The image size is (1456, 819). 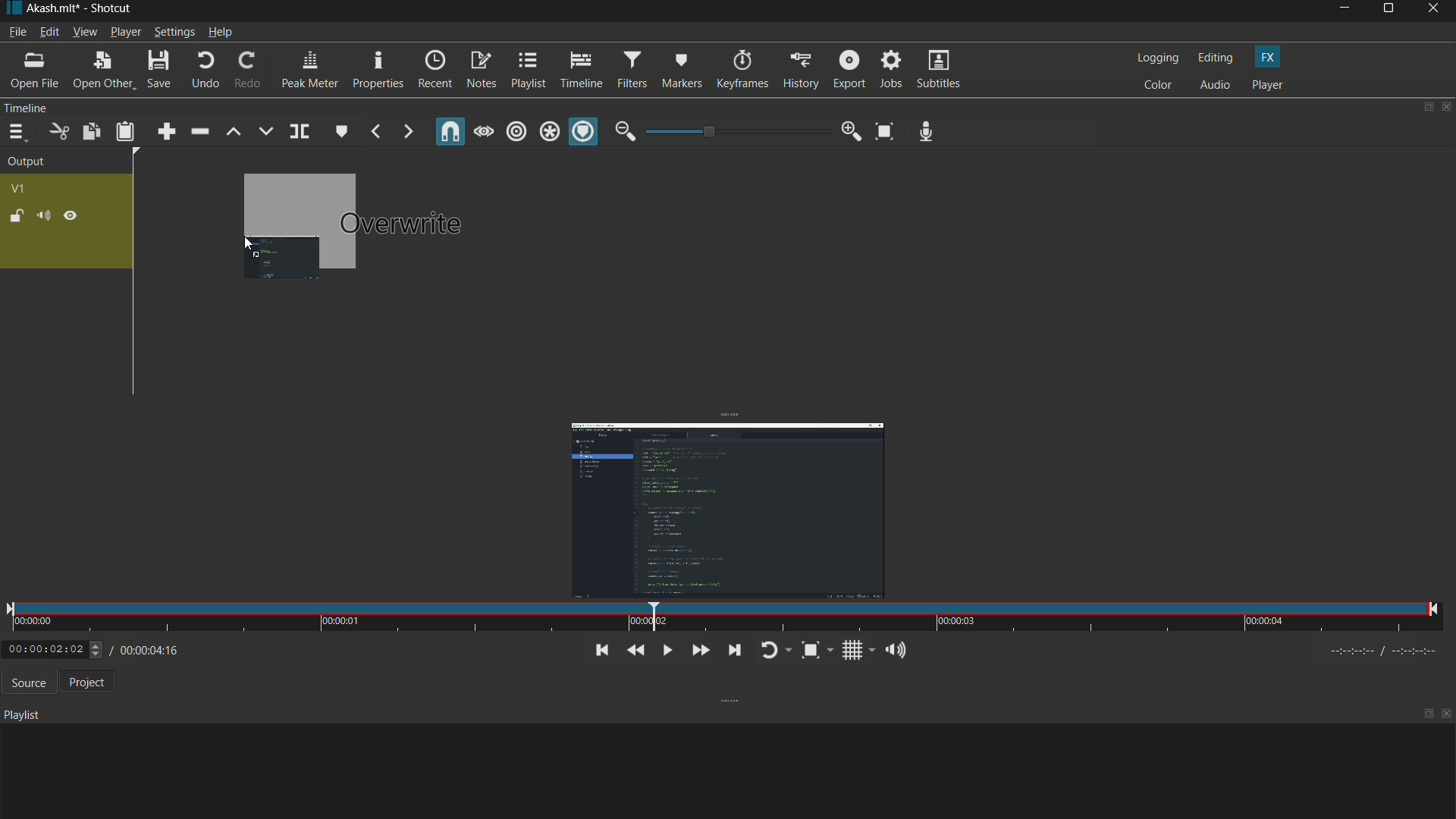 What do you see at coordinates (891, 71) in the screenshot?
I see `jobs` at bounding box center [891, 71].